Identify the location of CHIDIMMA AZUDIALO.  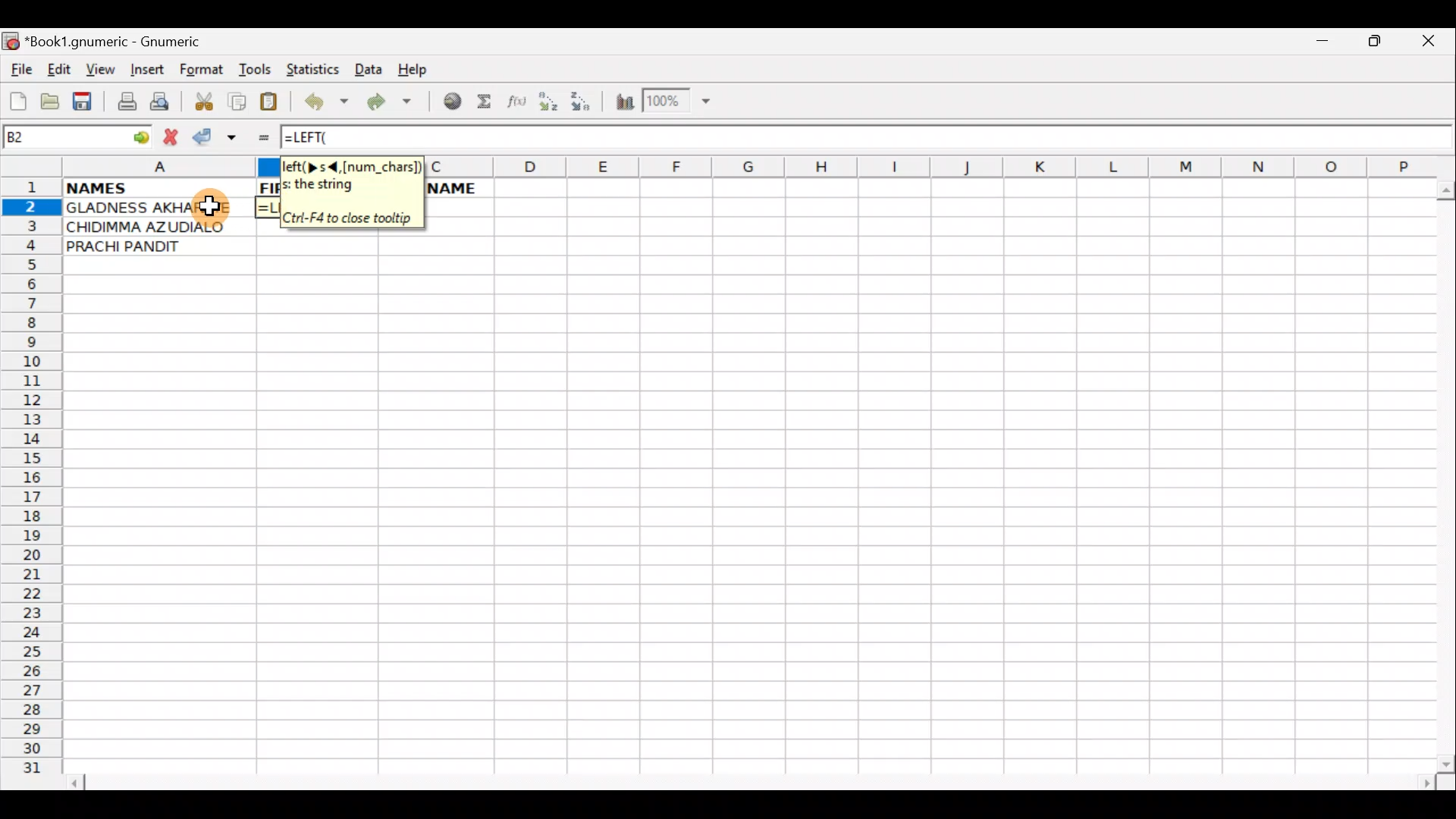
(156, 227).